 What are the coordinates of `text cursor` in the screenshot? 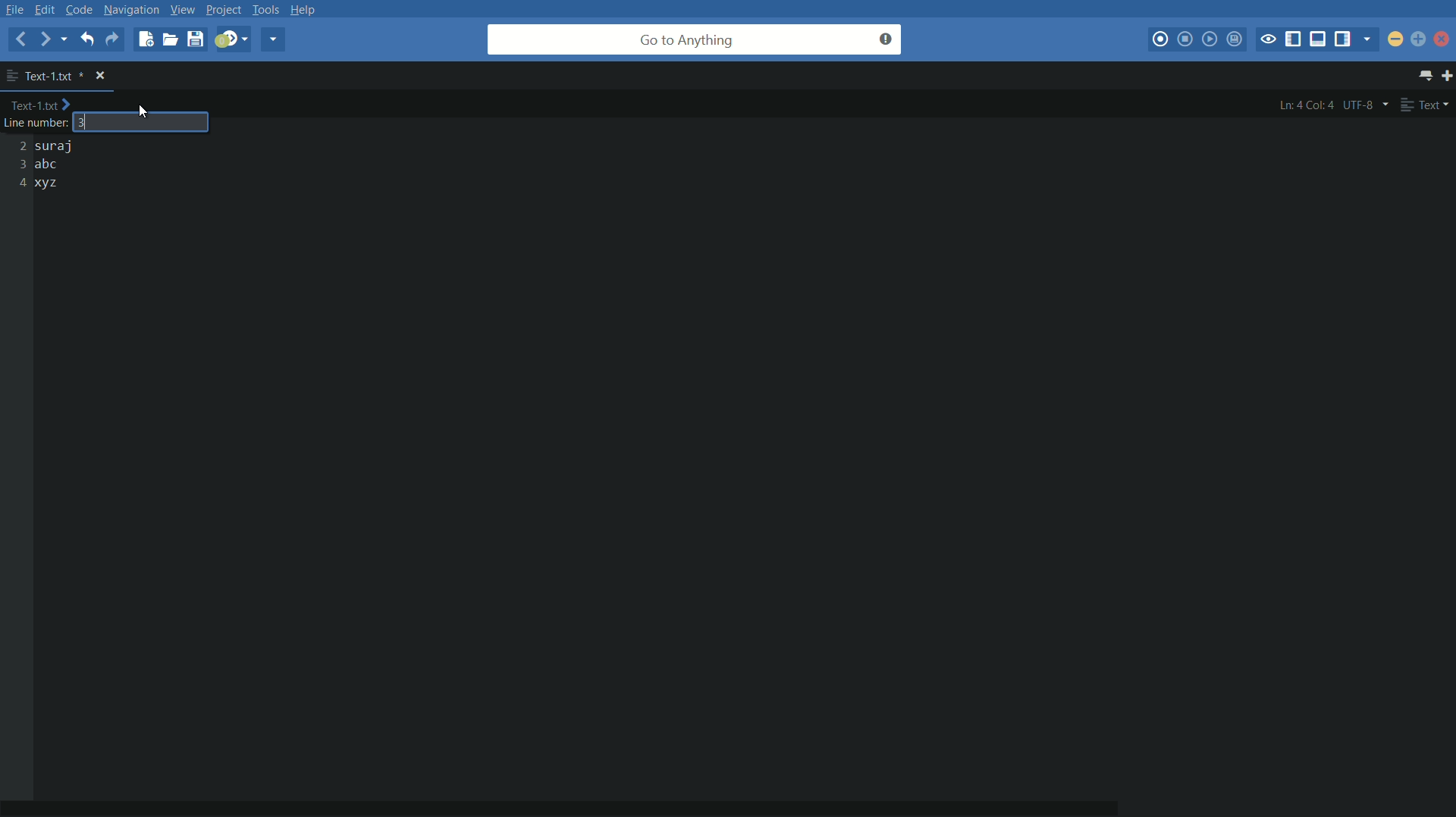 It's located at (93, 118).